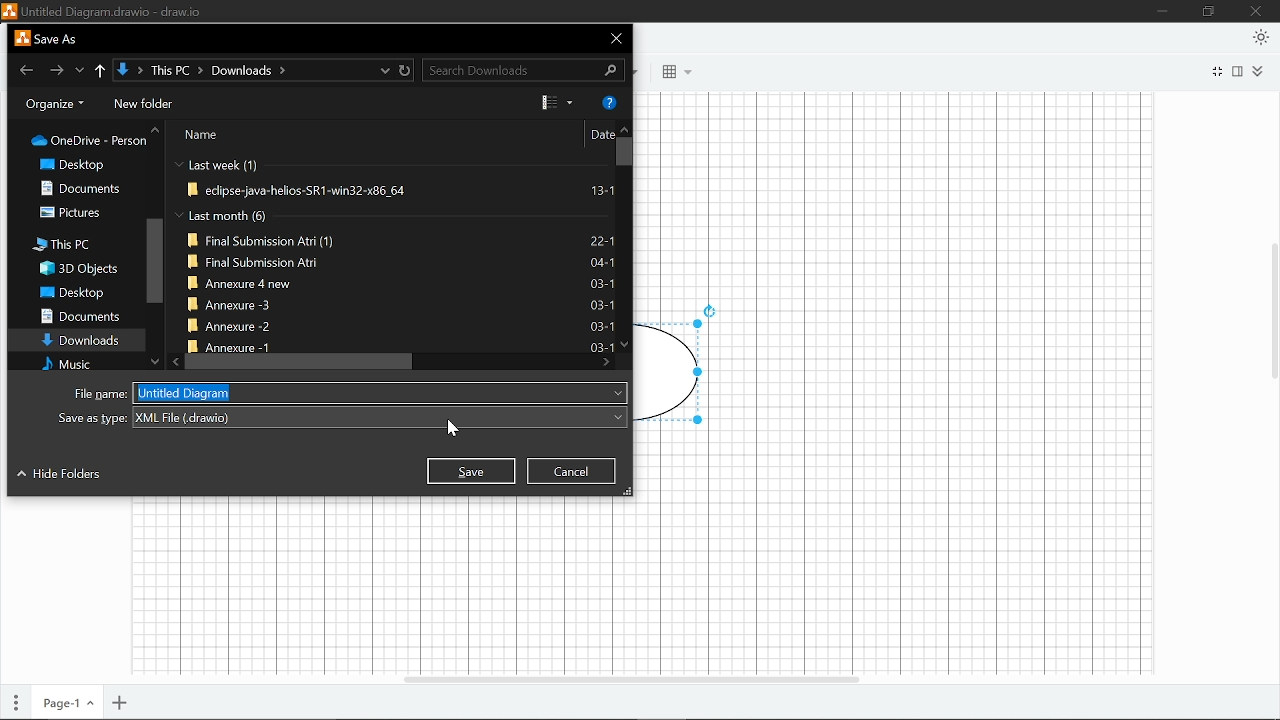 The height and width of the screenshot is (720, 1280). I want to click on Desktop, so click(85, 165).